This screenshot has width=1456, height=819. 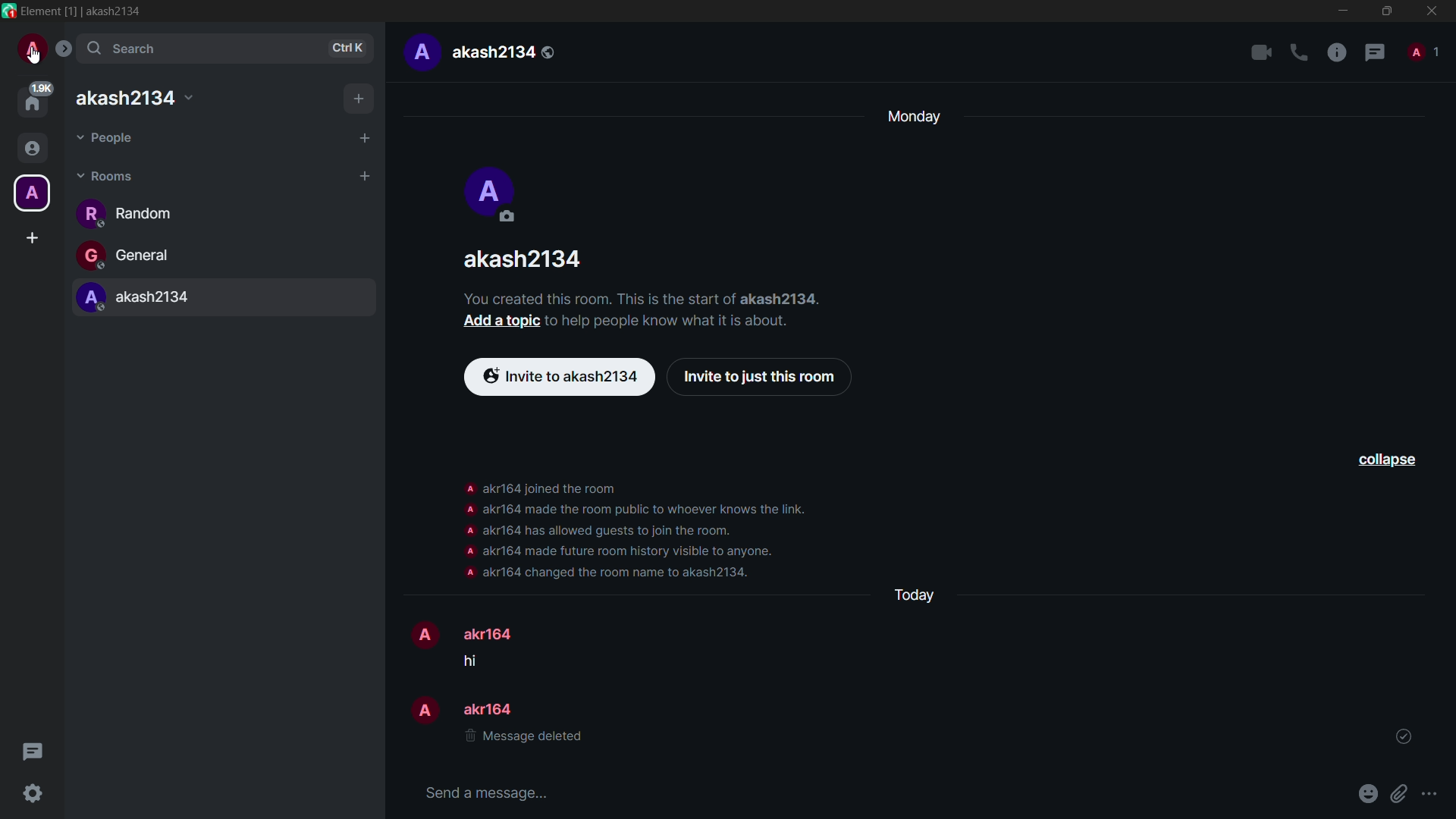 I want to click on akash2134, so click(x=504, y=52).